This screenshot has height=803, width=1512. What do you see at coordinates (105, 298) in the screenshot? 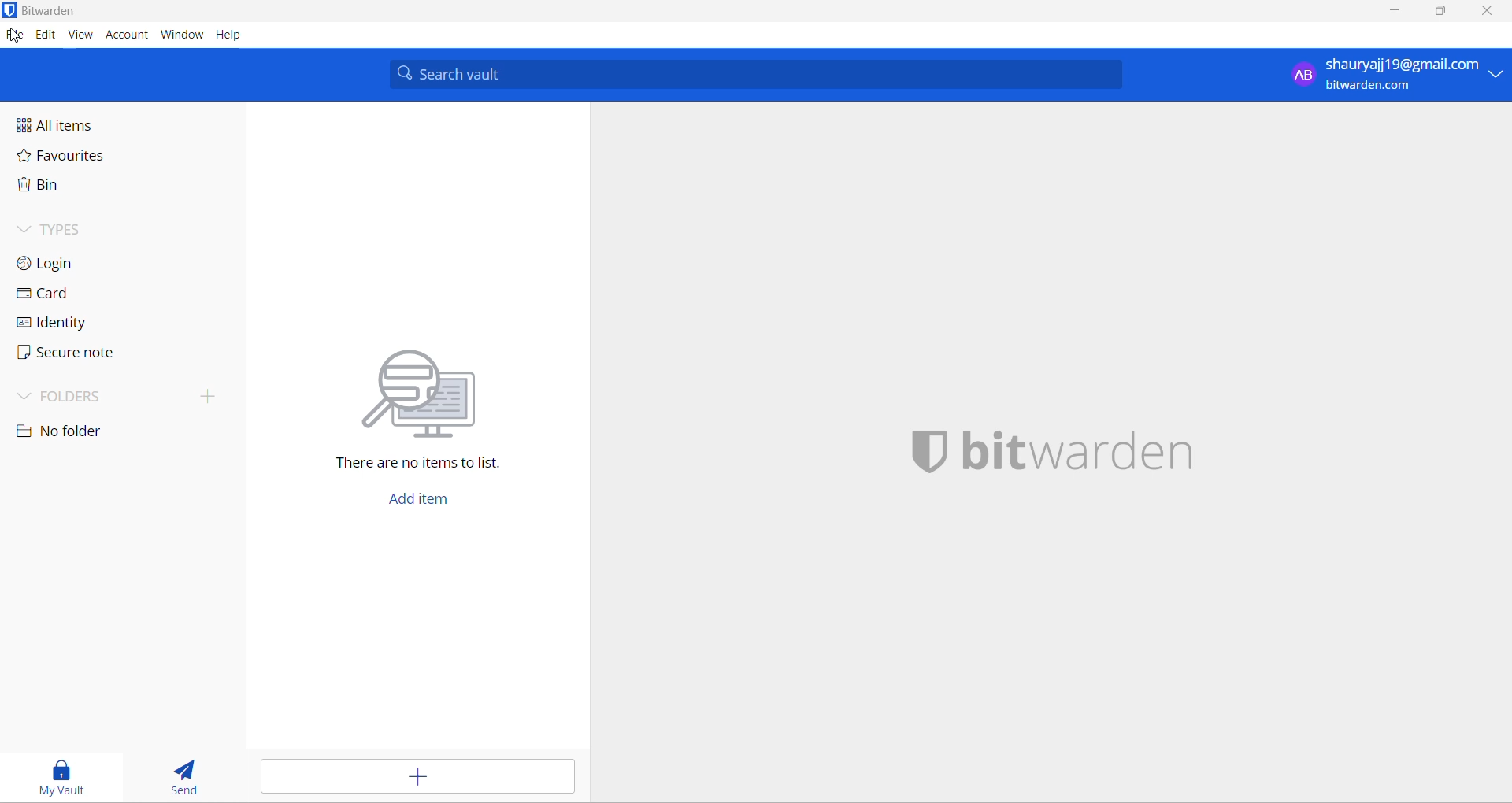
I see `card ` at bounding box center [105, 298].